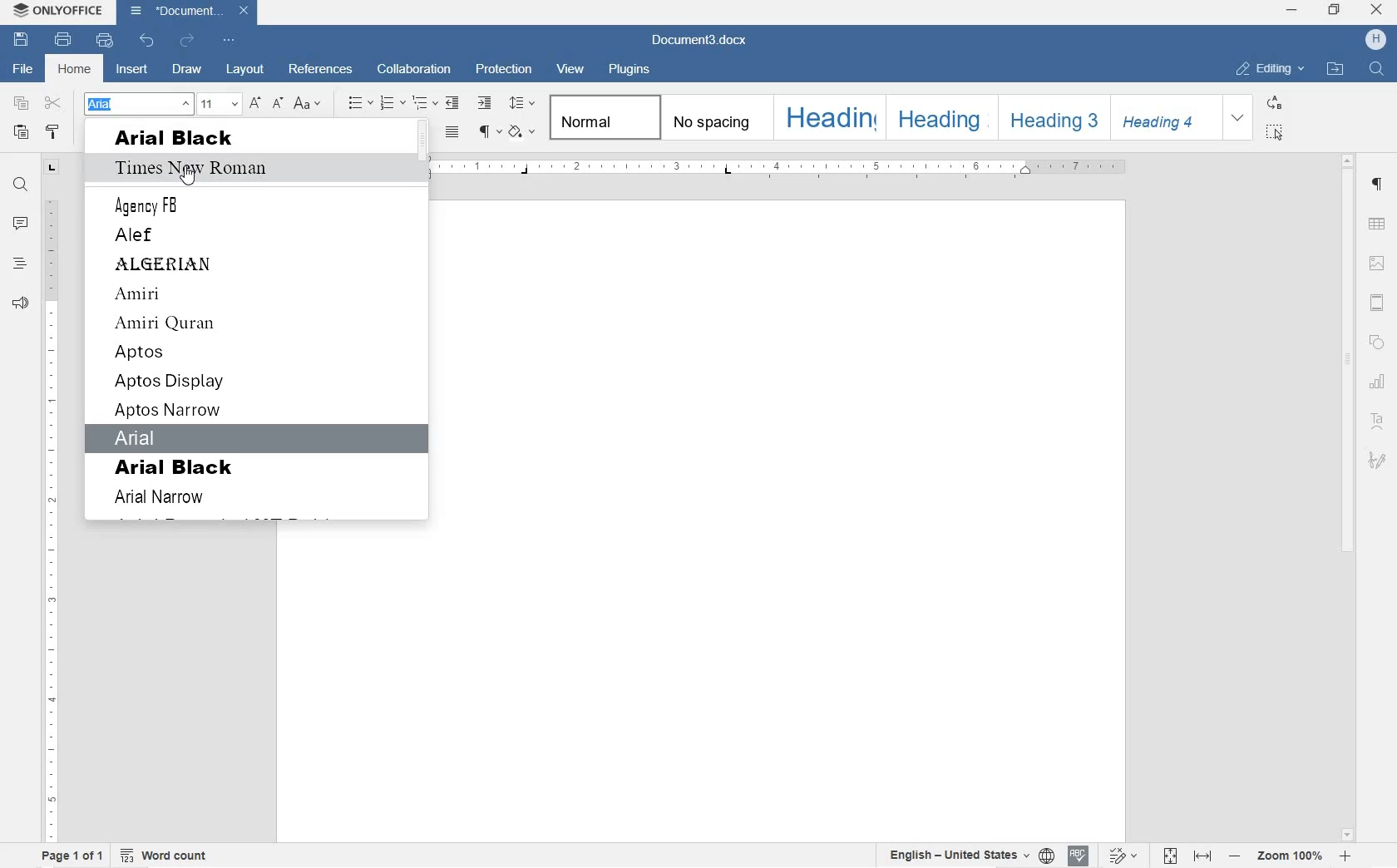 This screenshot has width=1397, height=868. What do you see at coordinates (1378, 421) in the screenshot?
I see `TEXT ART` at bounding box center [1378, 421].